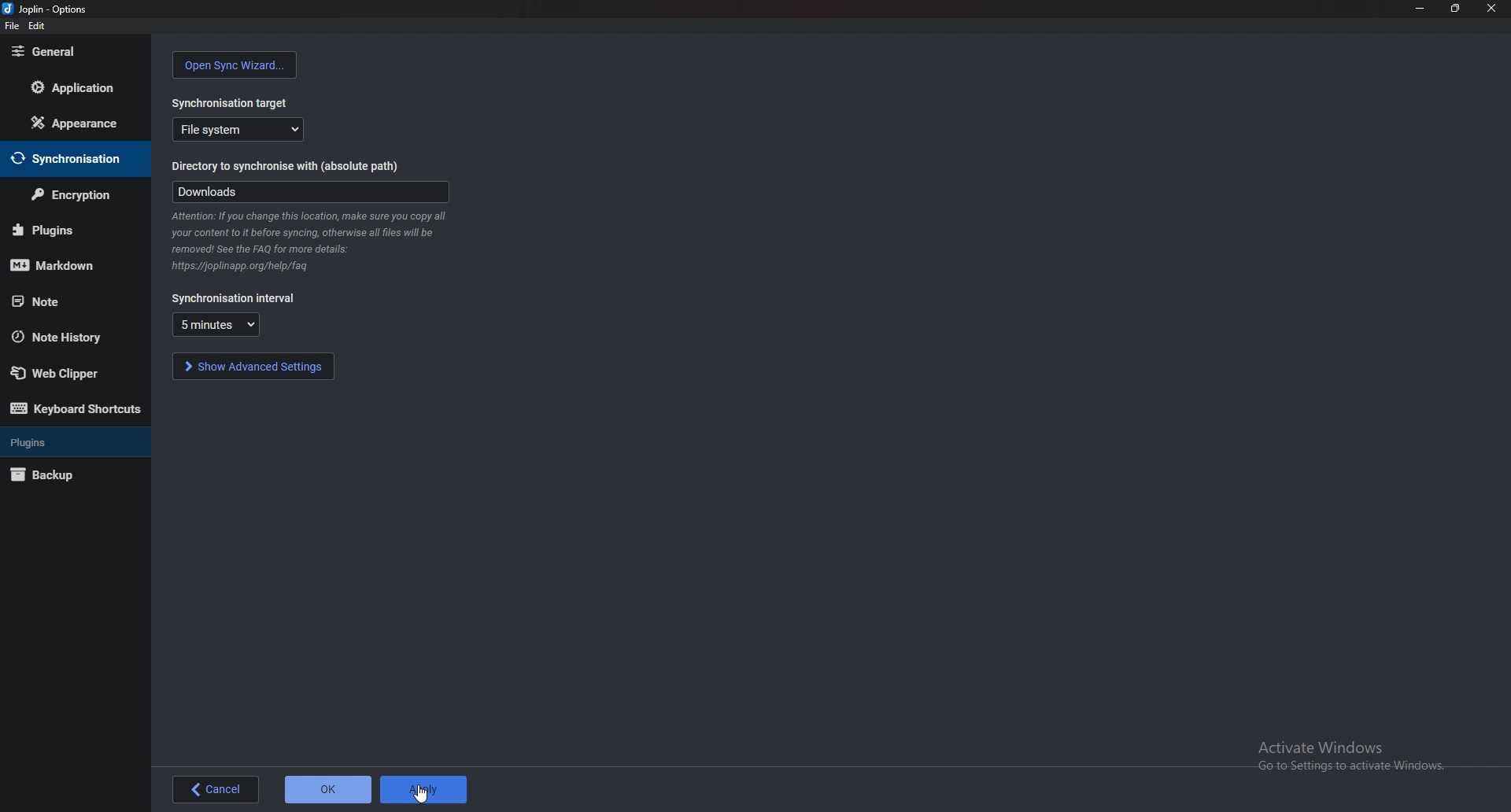 Image resolution: width=1511 pixels, height=812 pixels. I want to click on Cursor, so click(422, 795).